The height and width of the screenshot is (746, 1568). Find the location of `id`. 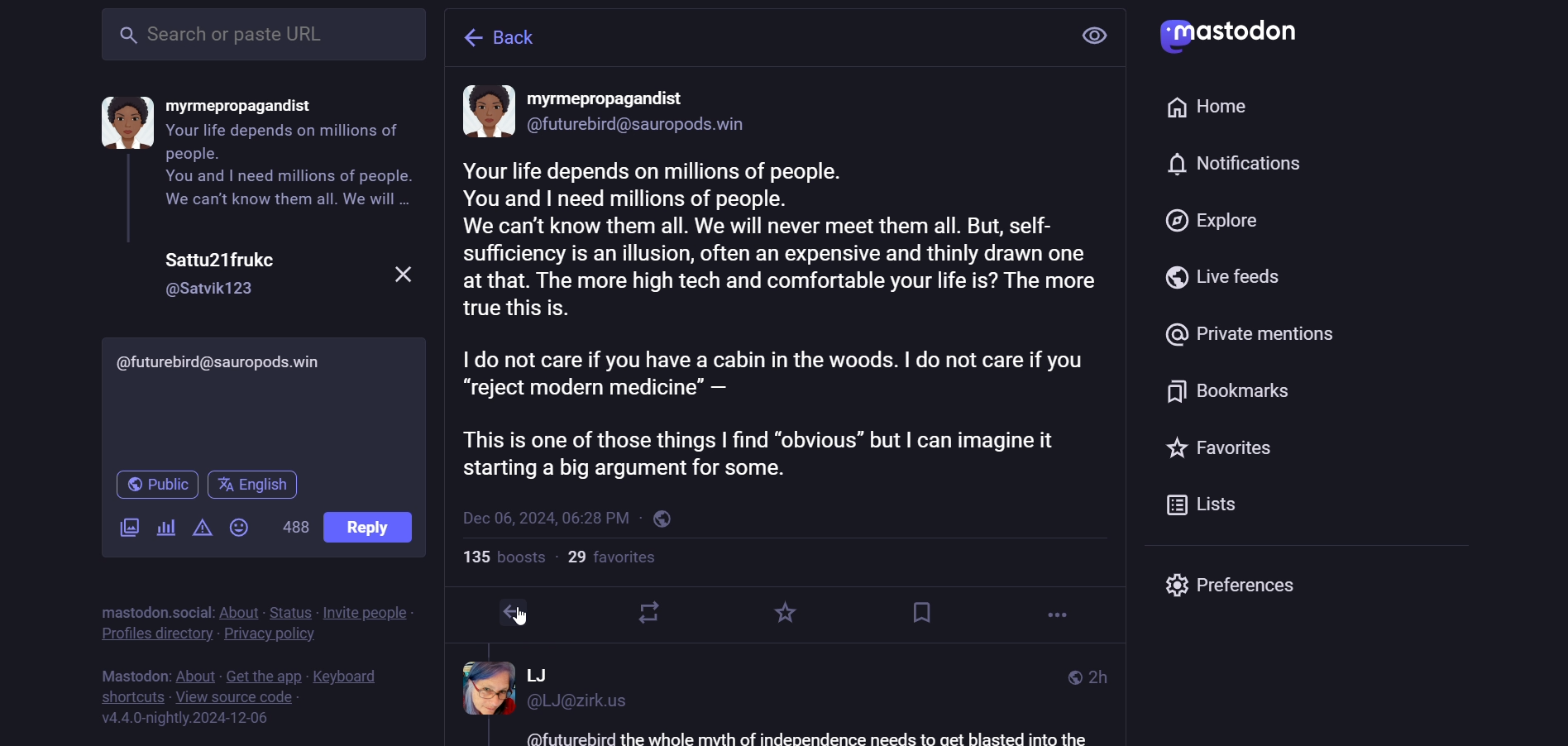

id is located at coordinates (217, 289).